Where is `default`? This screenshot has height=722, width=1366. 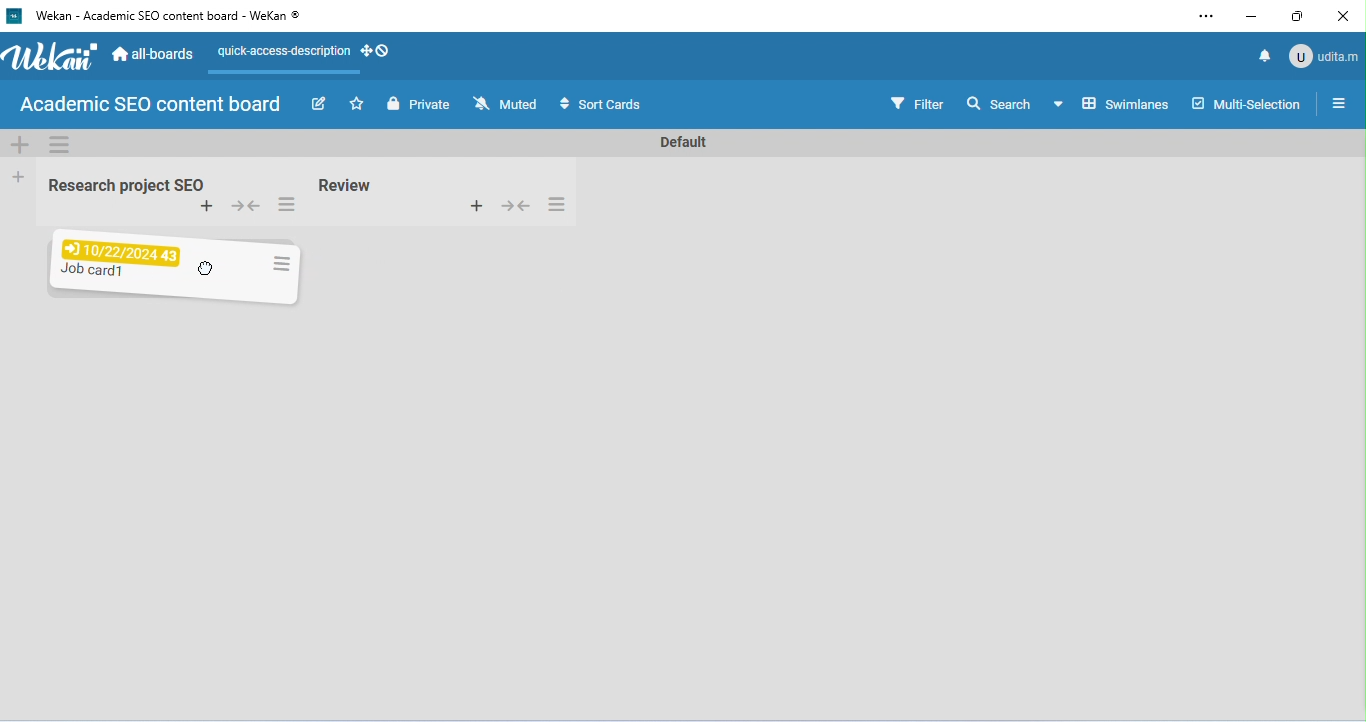 default is located at coordinates (680, 143).